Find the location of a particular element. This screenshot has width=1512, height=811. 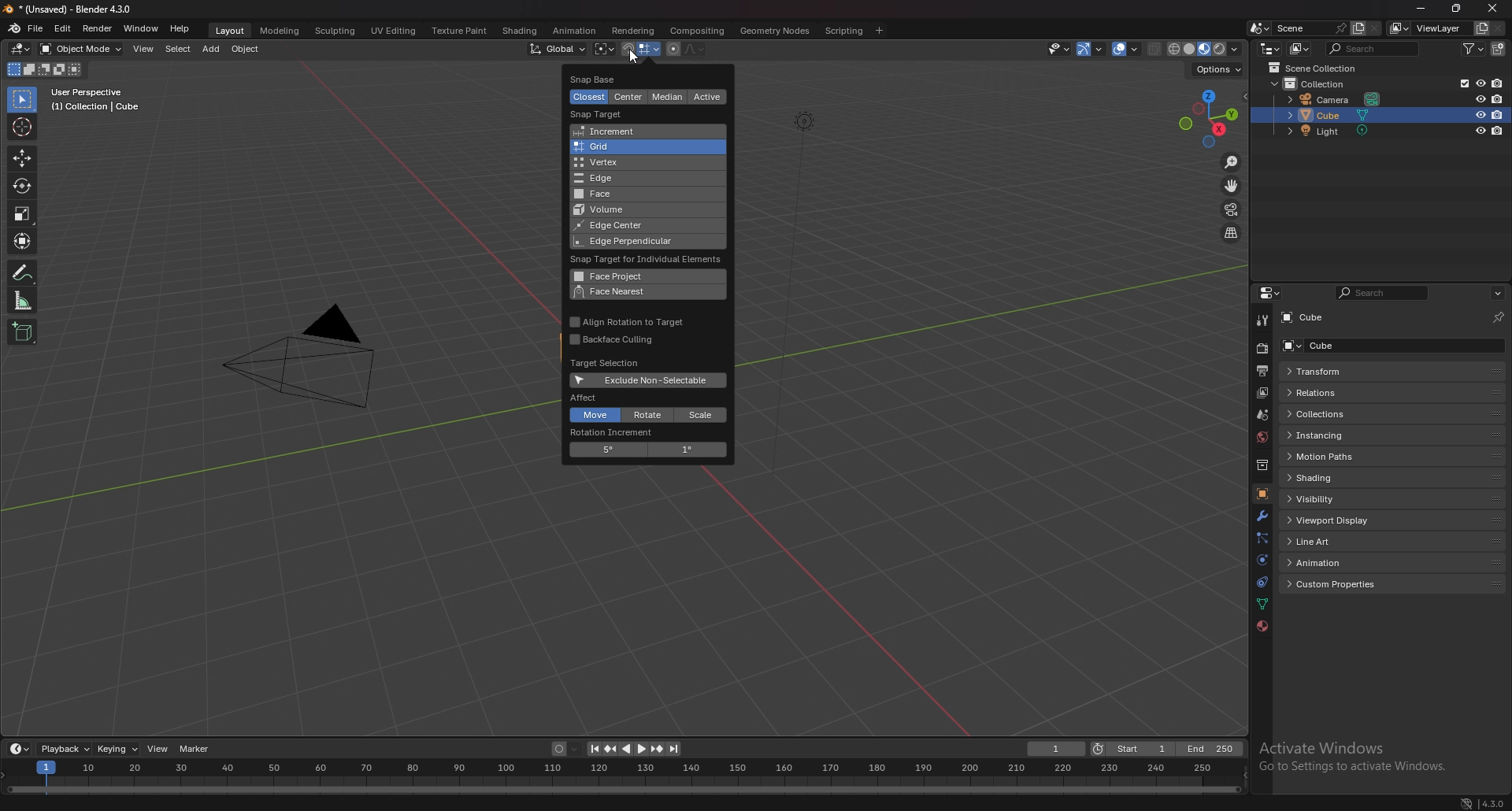

camera is located at coordinates (312, 355).